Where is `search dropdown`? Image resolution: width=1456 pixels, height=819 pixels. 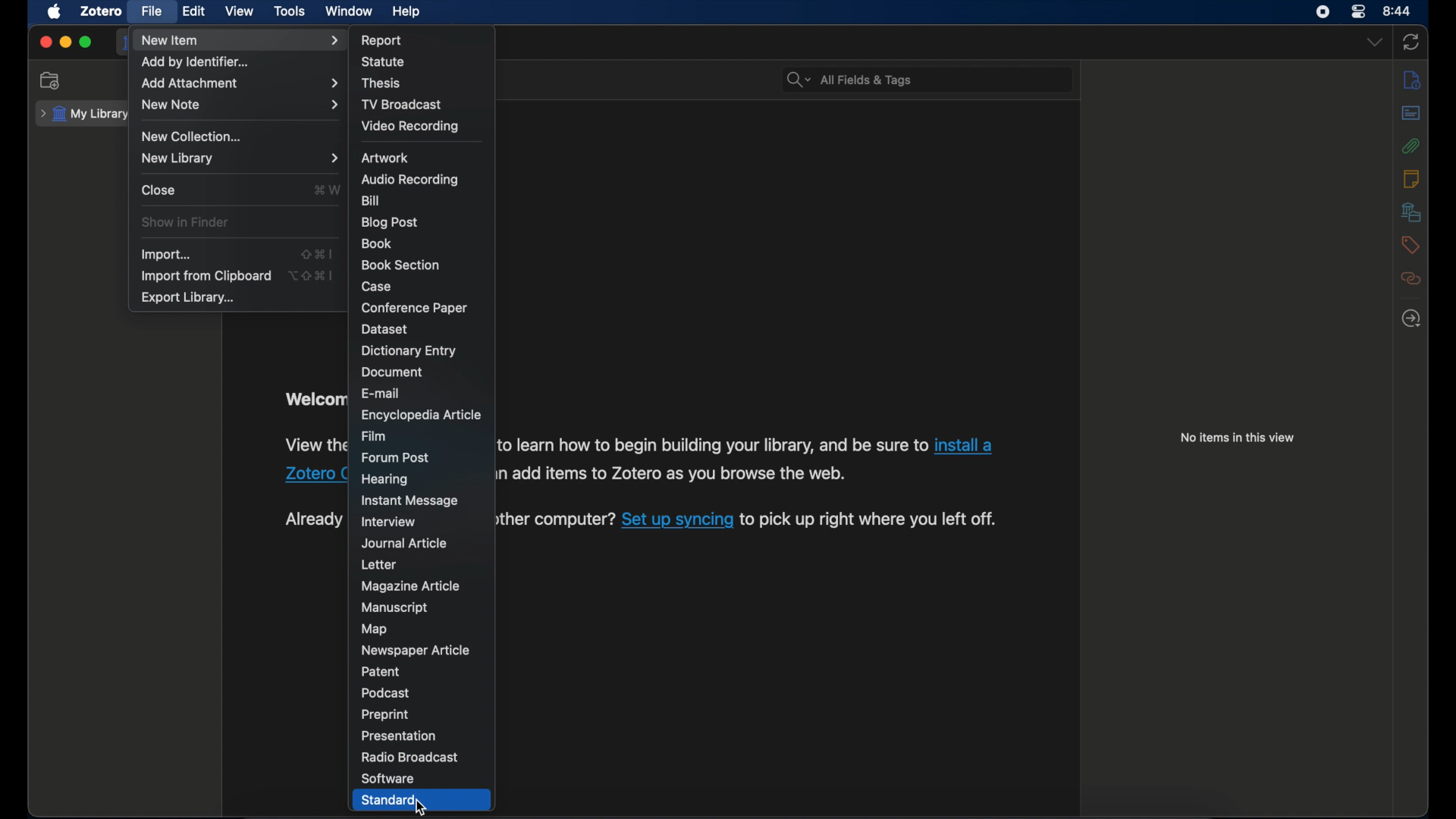 search dropdown is located at coordinates (798, 80).